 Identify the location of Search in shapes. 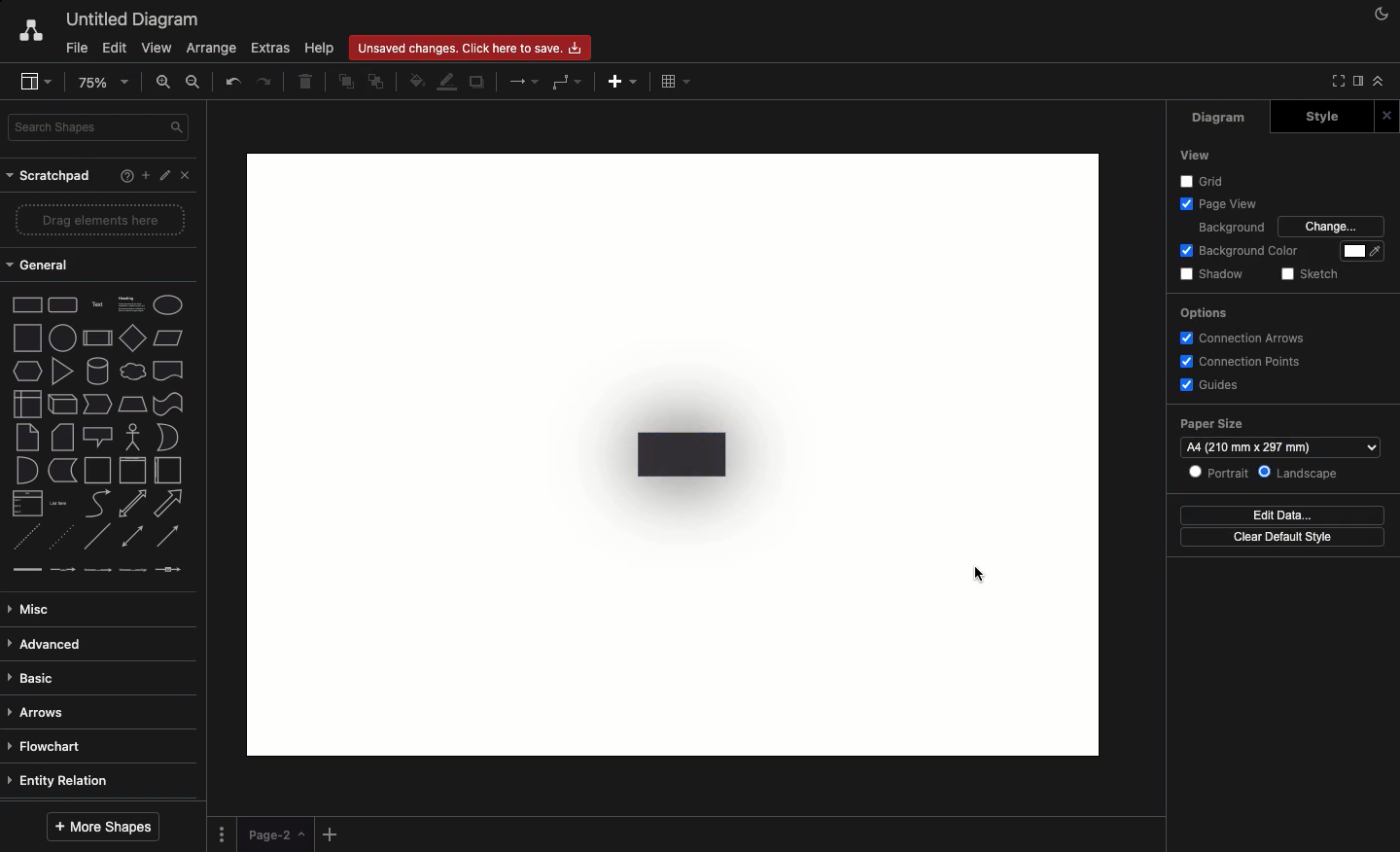
(102, 126).